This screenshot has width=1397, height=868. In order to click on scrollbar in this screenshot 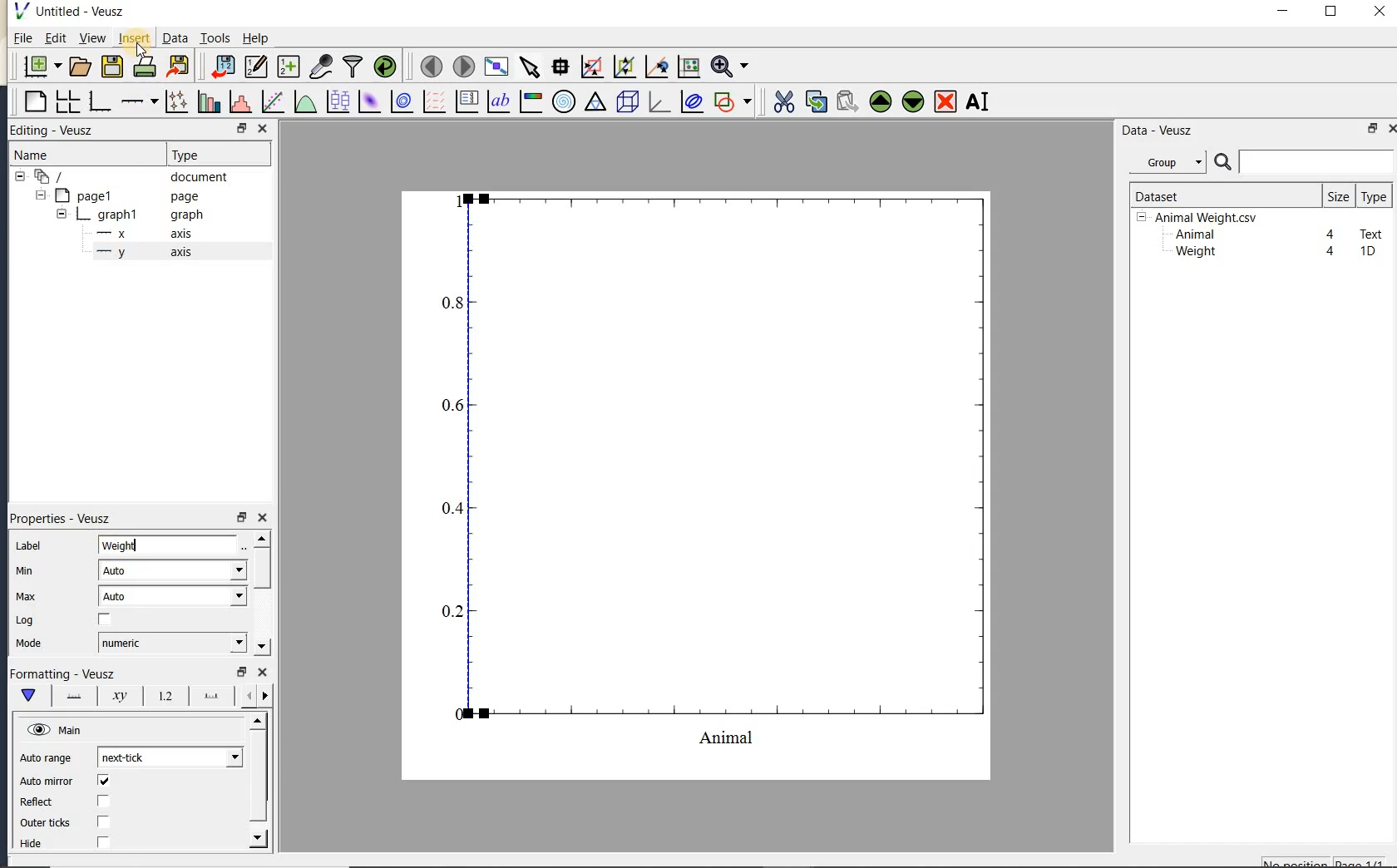, I will do `click(259, 781)`.